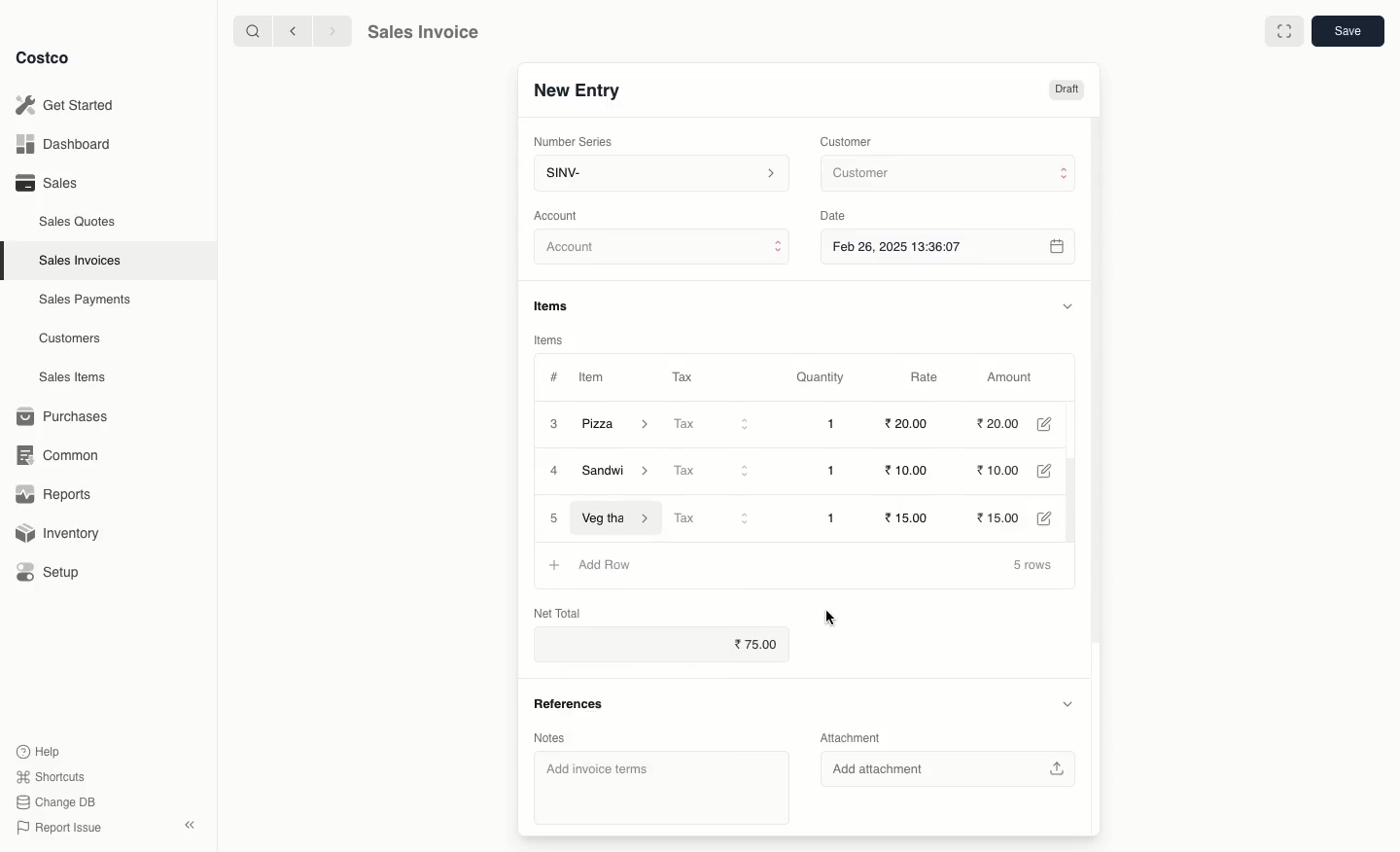  What do you see at coordinates (55, 828) in the screenshot?
I see `Report Issue` at bounding box center [55, 828].